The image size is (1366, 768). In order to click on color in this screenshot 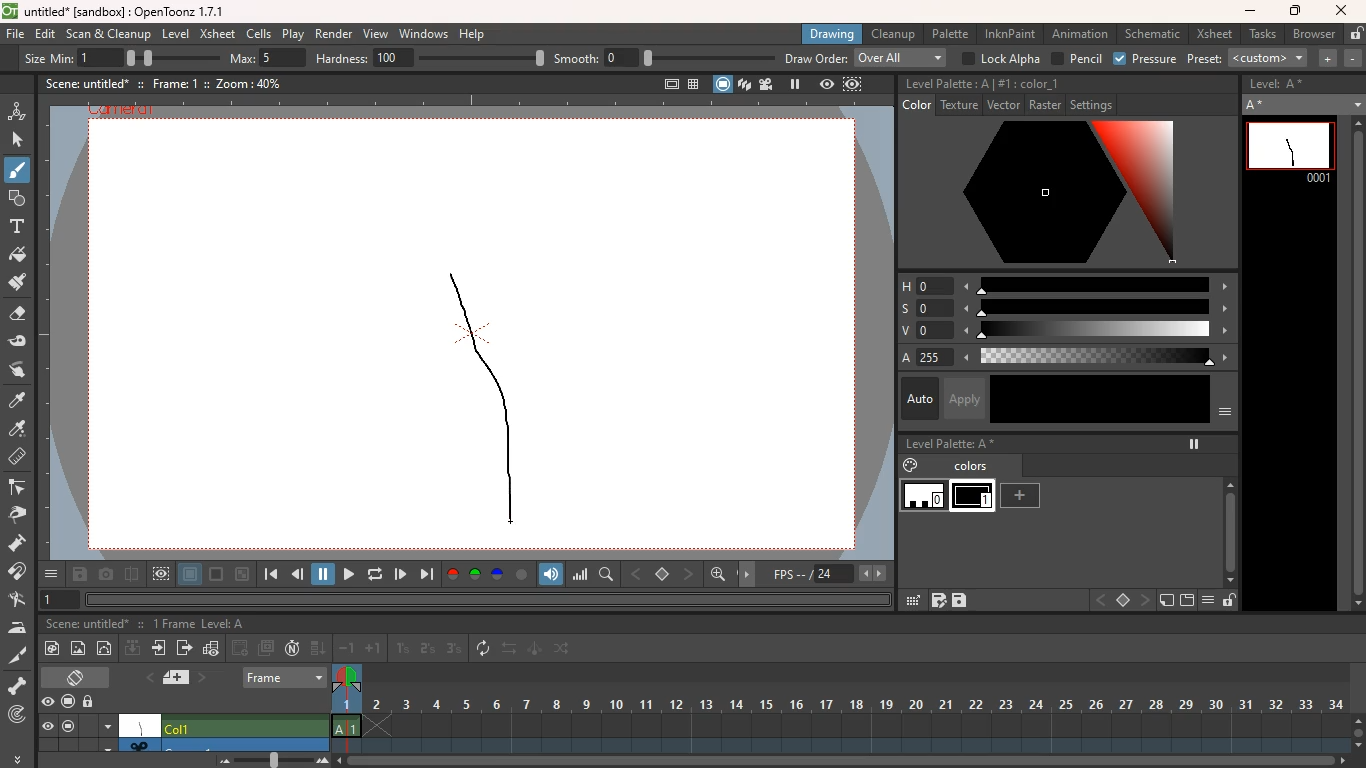, I will do `click(914, 106)`.